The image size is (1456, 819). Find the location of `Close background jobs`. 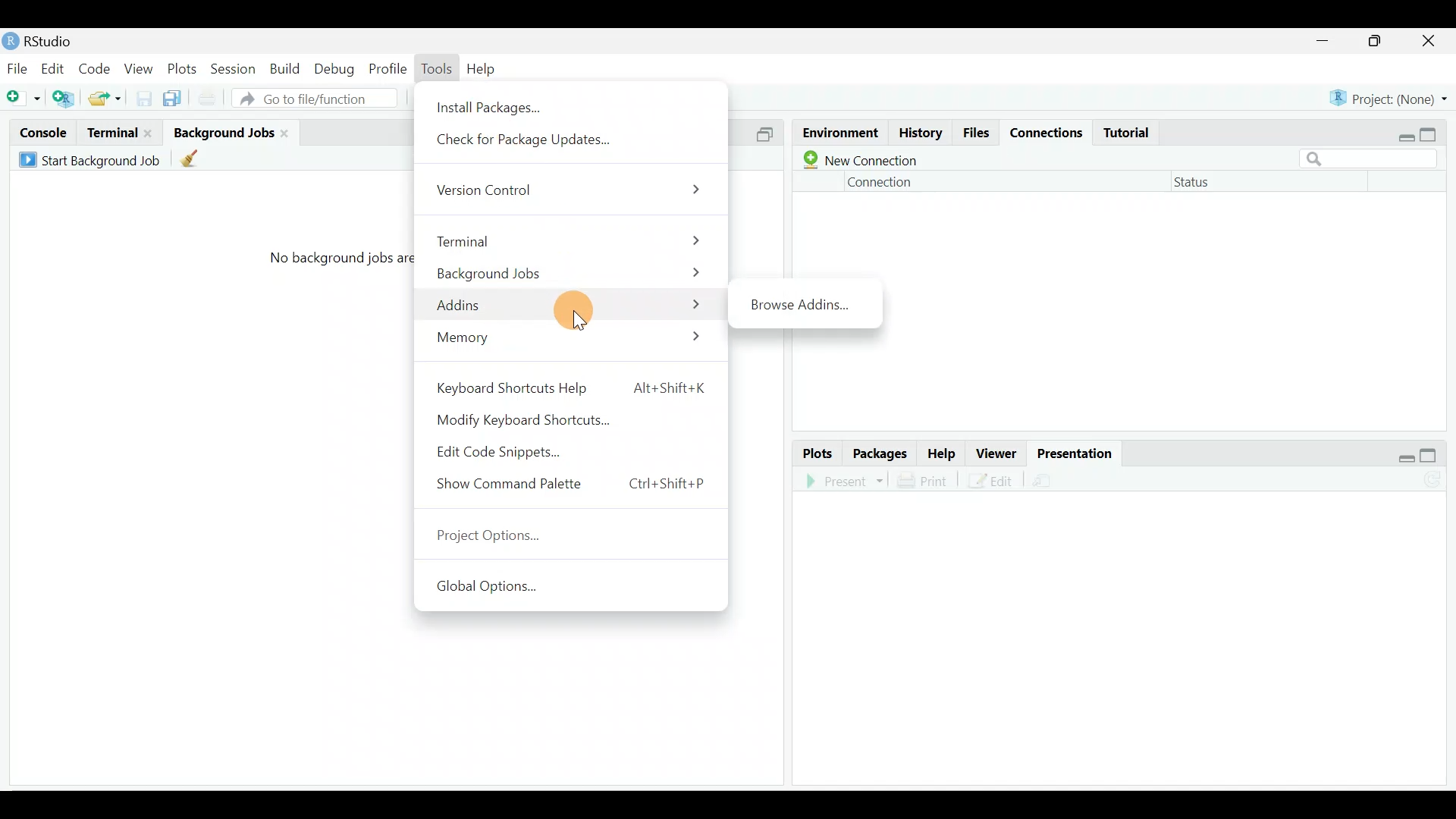

Close background jobs is located at coordinates (291, 132).